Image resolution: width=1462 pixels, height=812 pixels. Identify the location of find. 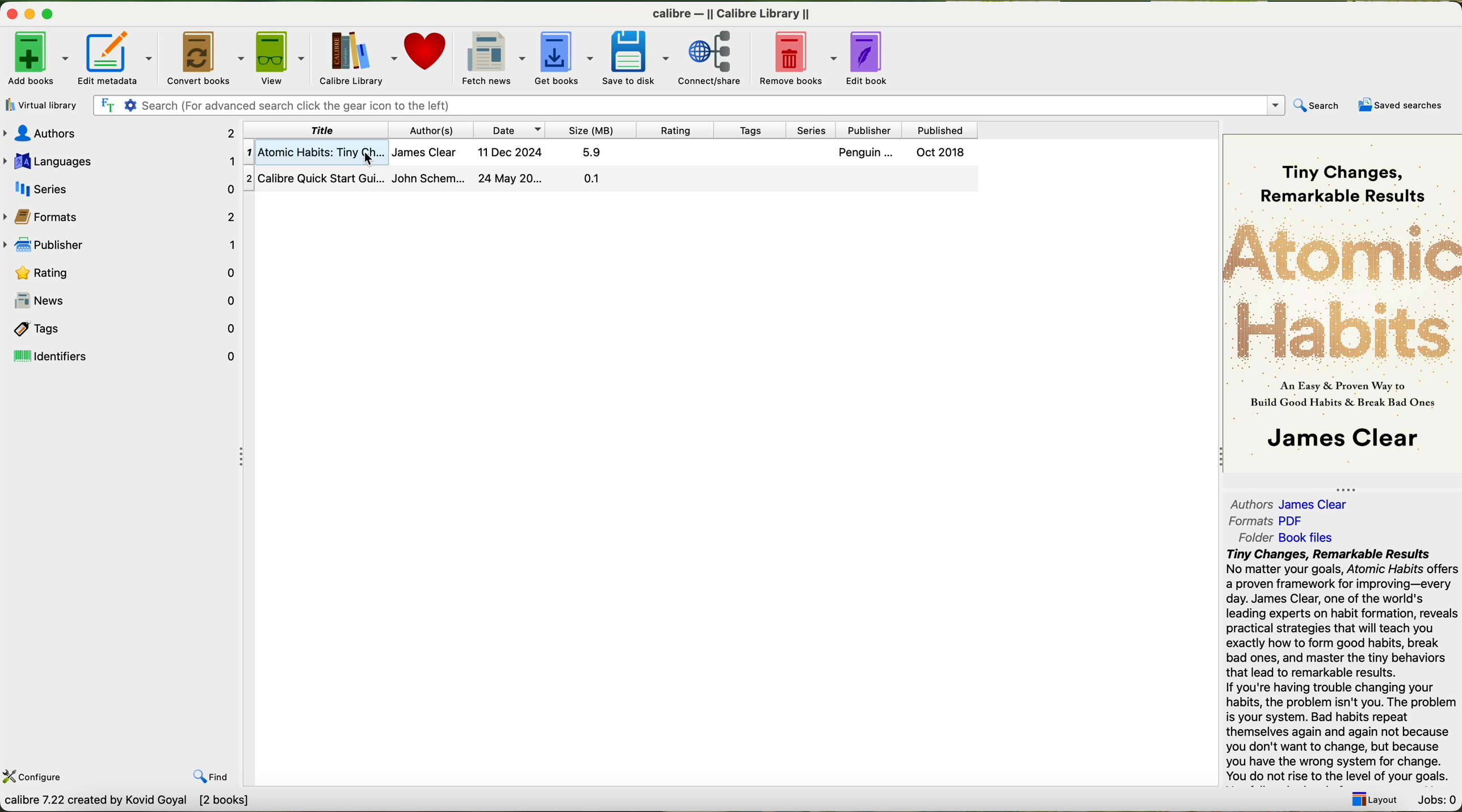
(214, 778).